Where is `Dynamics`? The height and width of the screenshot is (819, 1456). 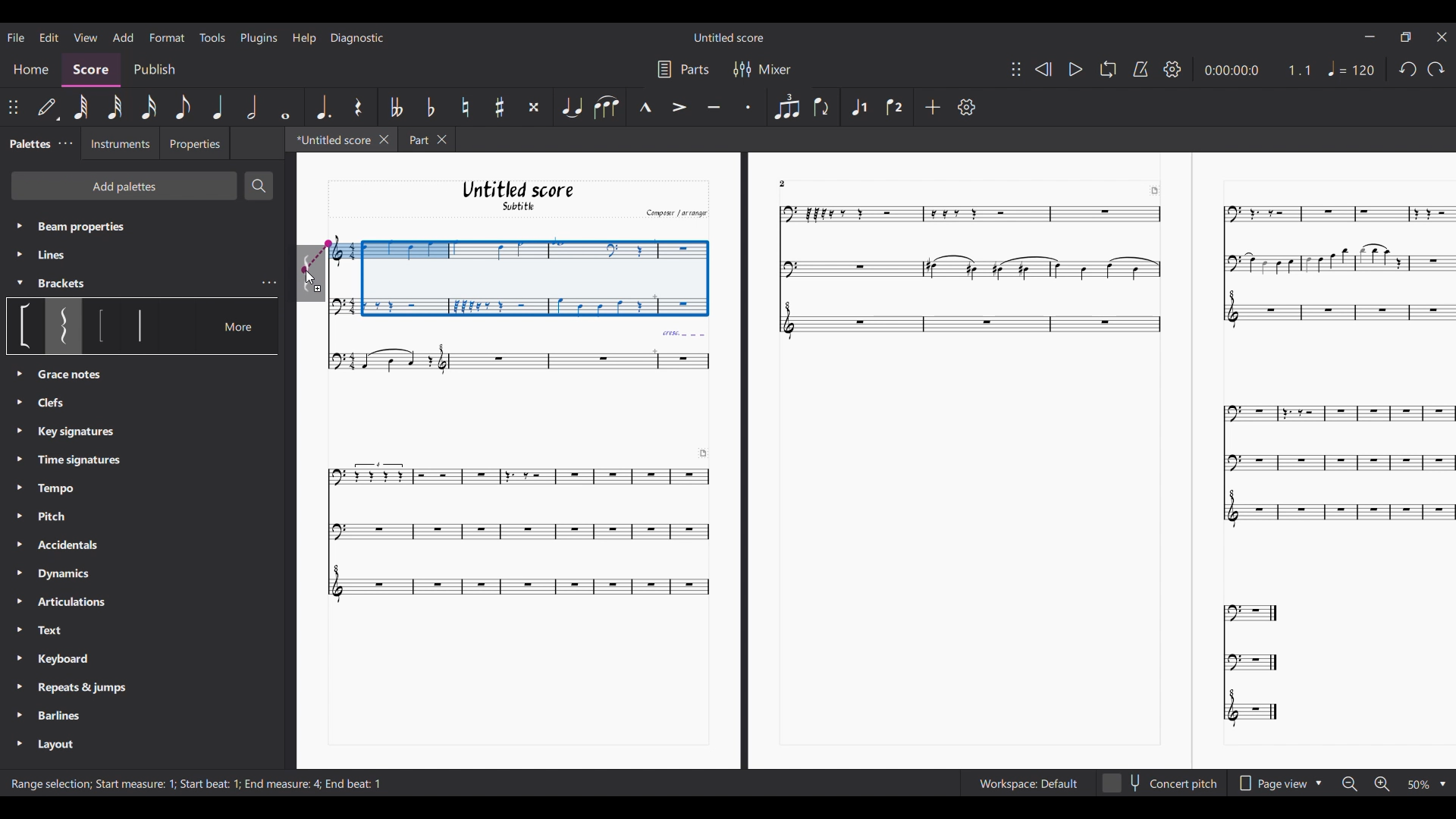 Dynamics is located at coordinates (74, 574).